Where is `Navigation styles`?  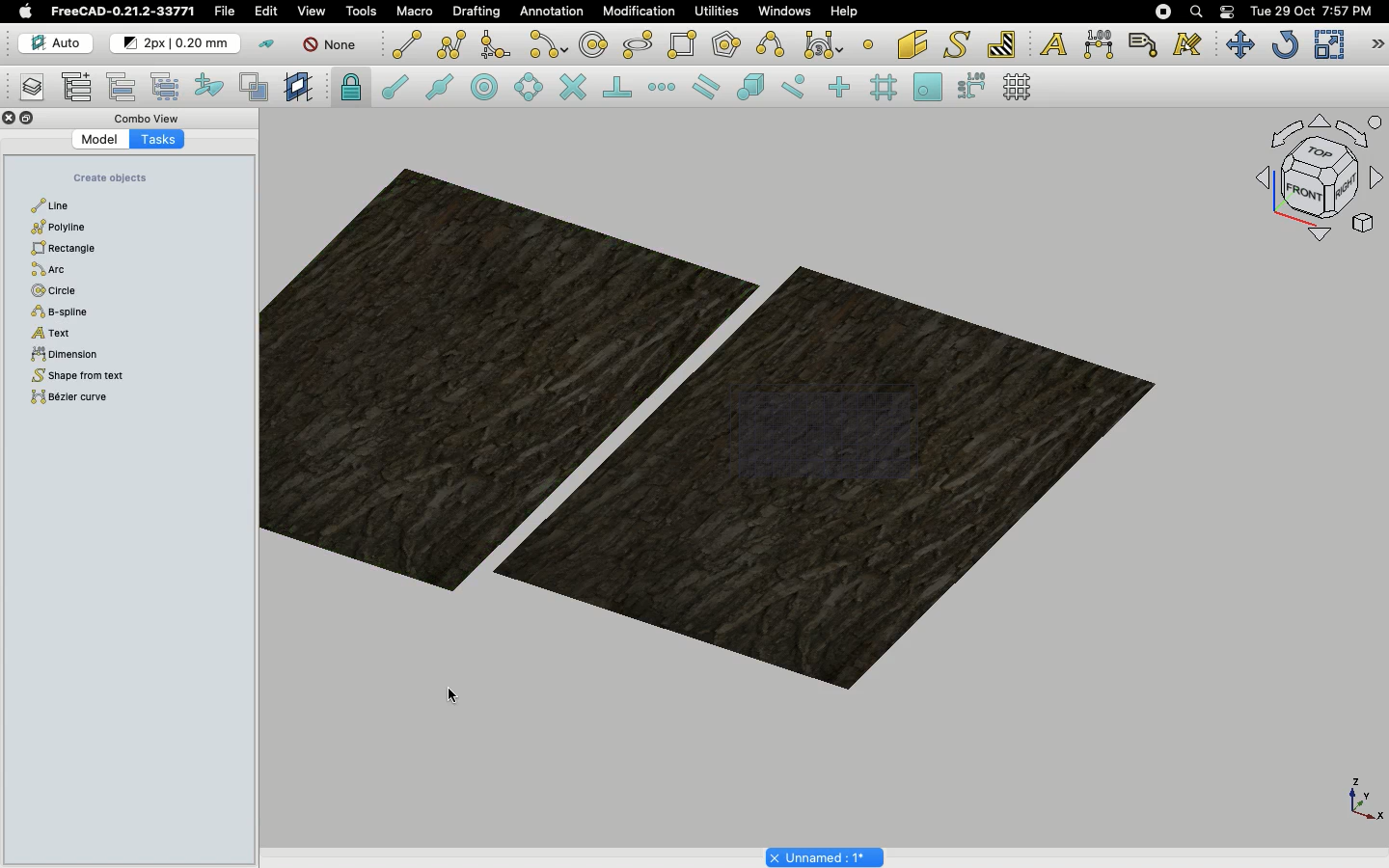 Navigation styles is located at coordinates (1318, 181).